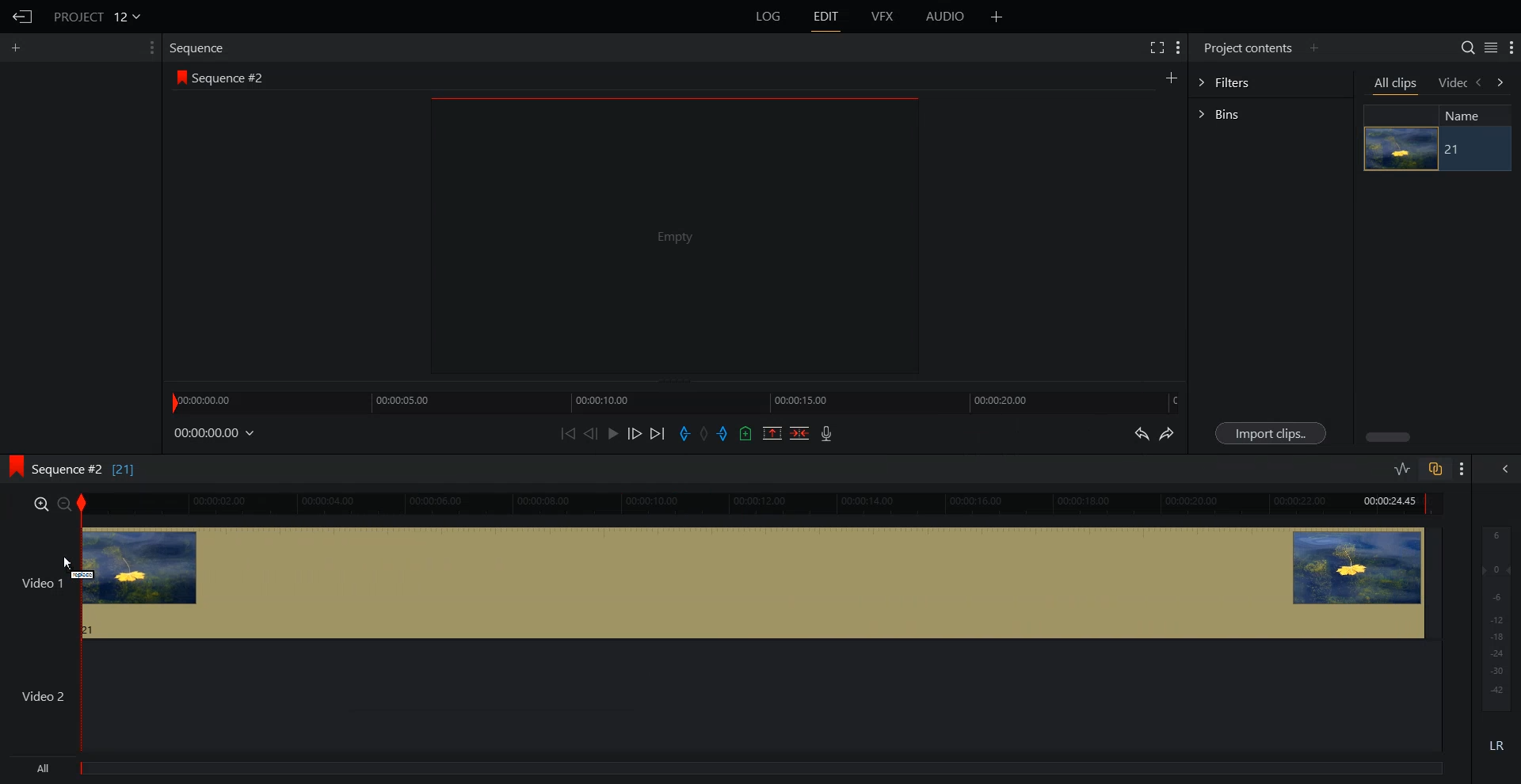  Describe the element at coordinates (658, 433) in the screenshot. I see `Move Forward` at that location.